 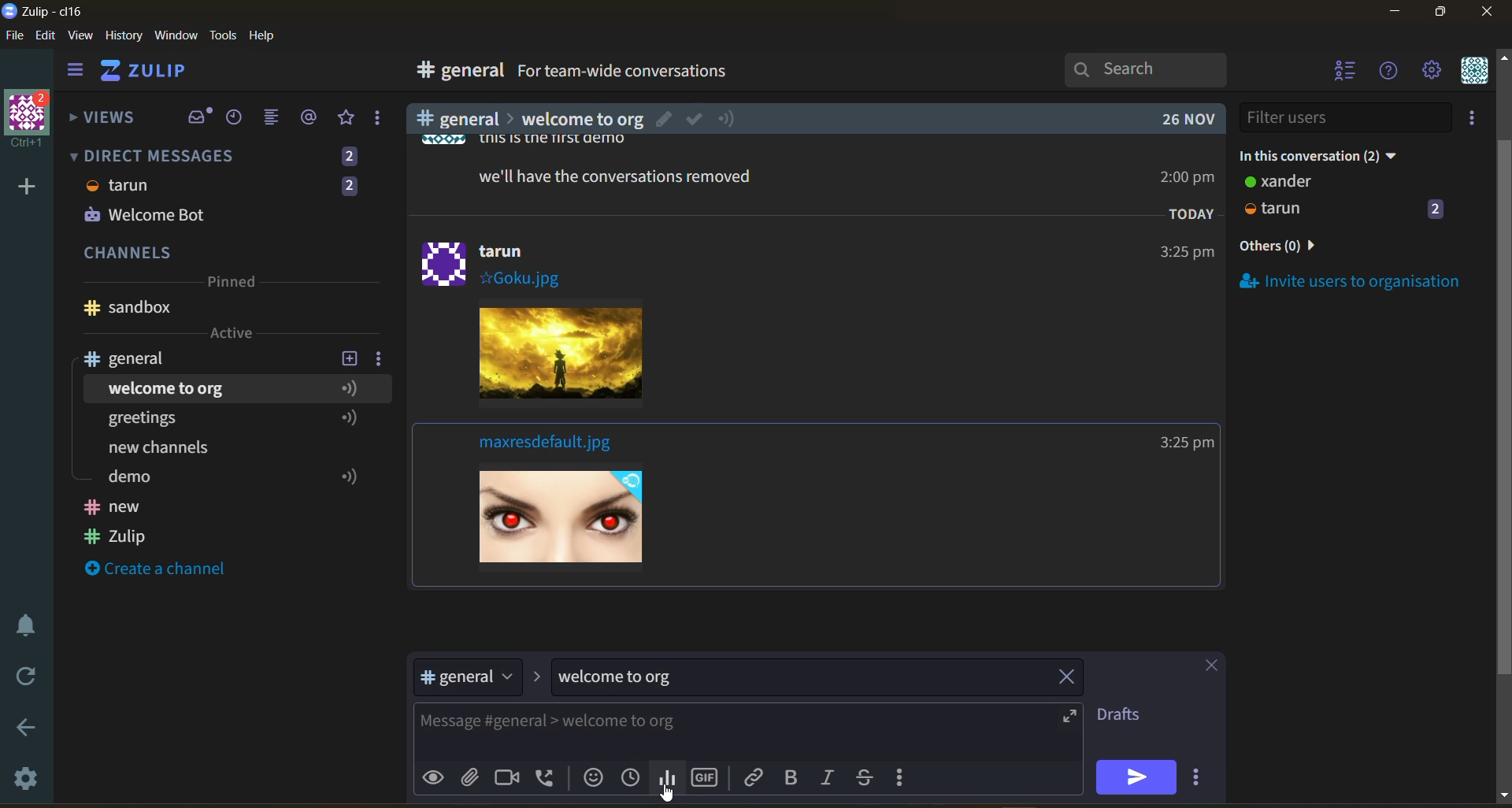 What do you see at coordinates (1183, 180) in the screenshot?
I see `` at bounding box center [1183, 180].